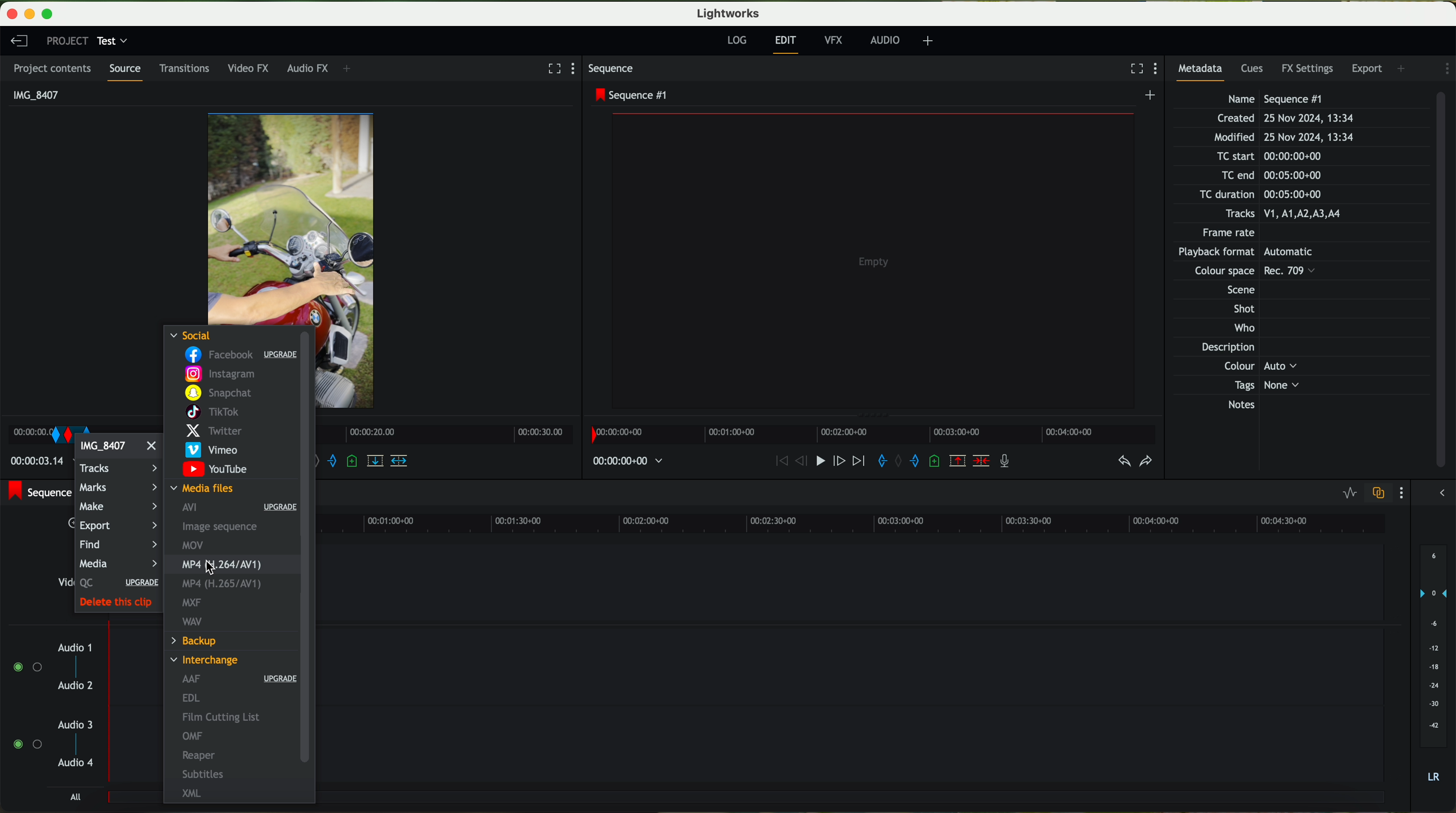 This screenshot has width=1456, height=813. I want to click on Tags None, so click(1263, 385).